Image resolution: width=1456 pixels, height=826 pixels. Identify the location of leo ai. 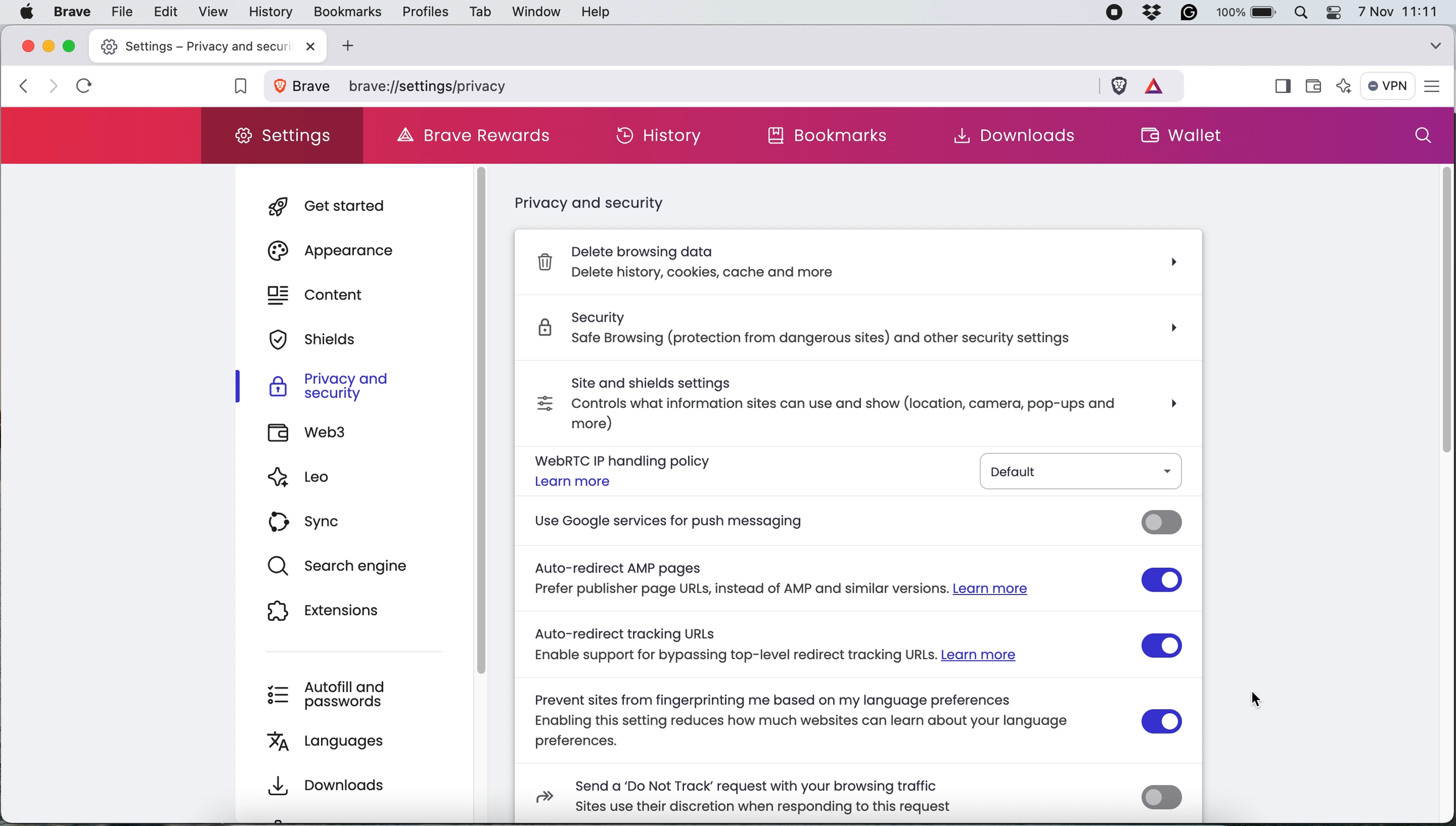
(1345, 88).